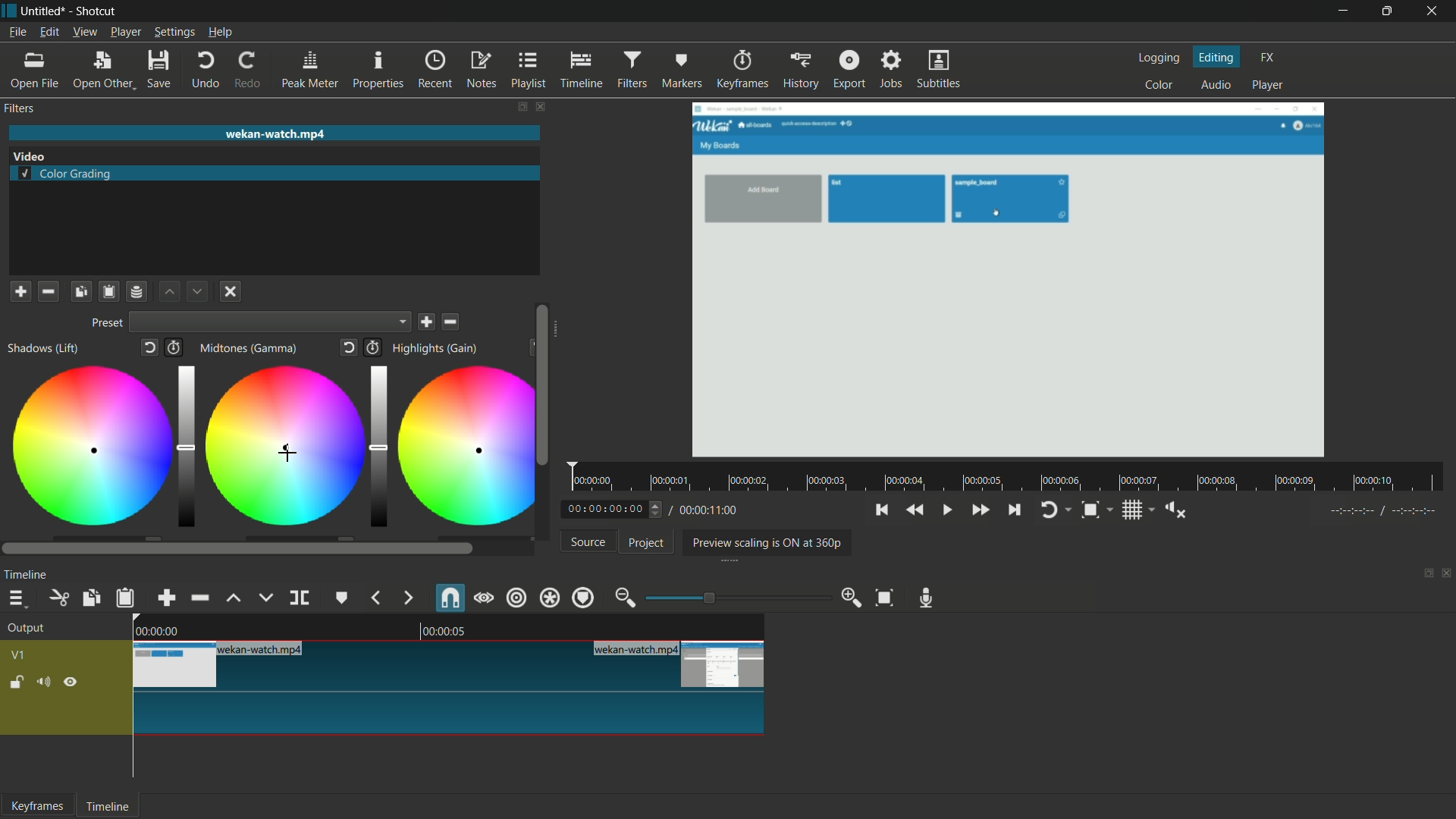 Image resolution: width=1456 pixels, height=819 pixels. What do you see at coordinates (1389, 11) in the screenshot?
I see `maximize` at bounding box center [1389, 11].